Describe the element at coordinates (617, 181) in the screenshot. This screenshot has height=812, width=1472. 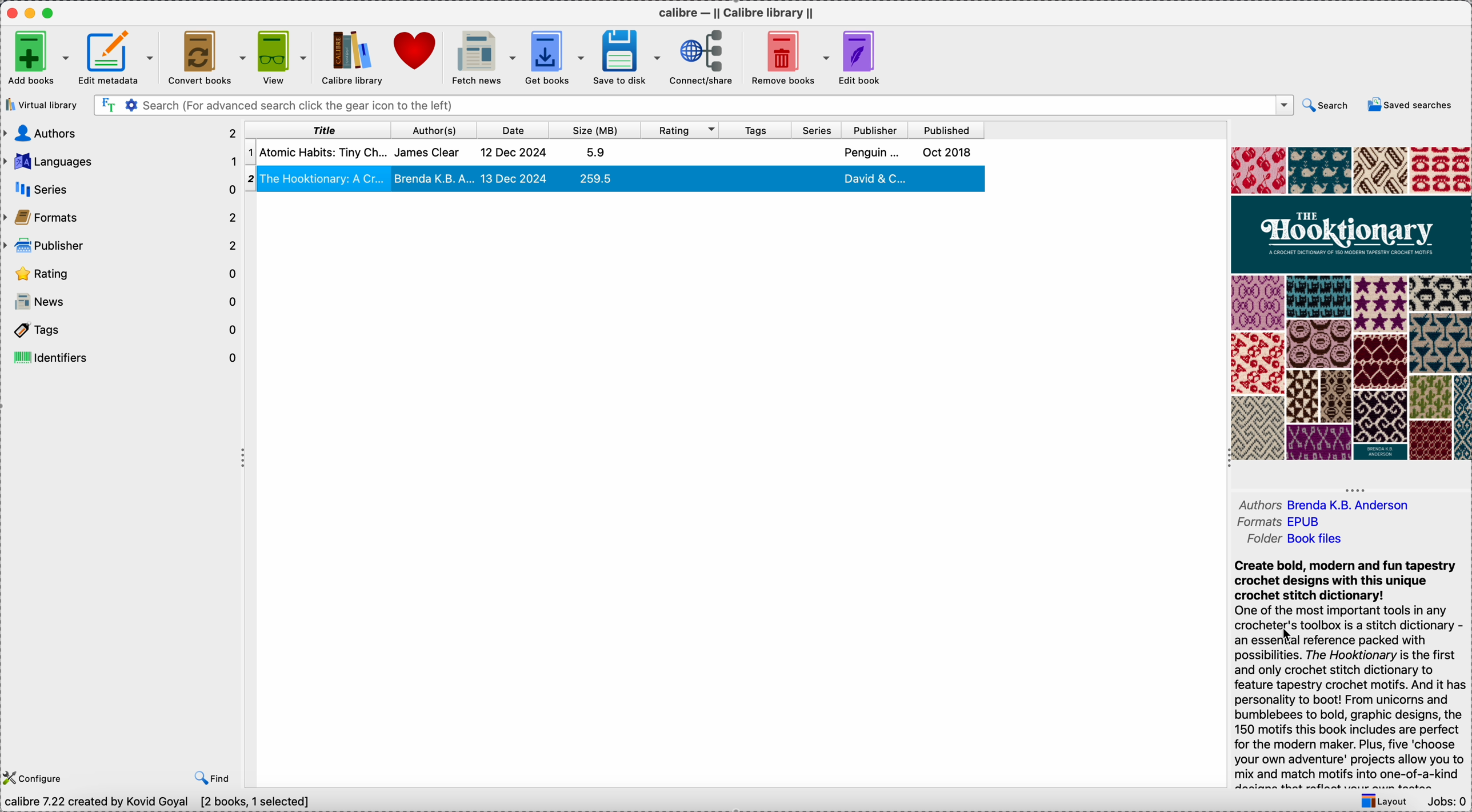
I see `The Hooktionary book details selected` at that location.